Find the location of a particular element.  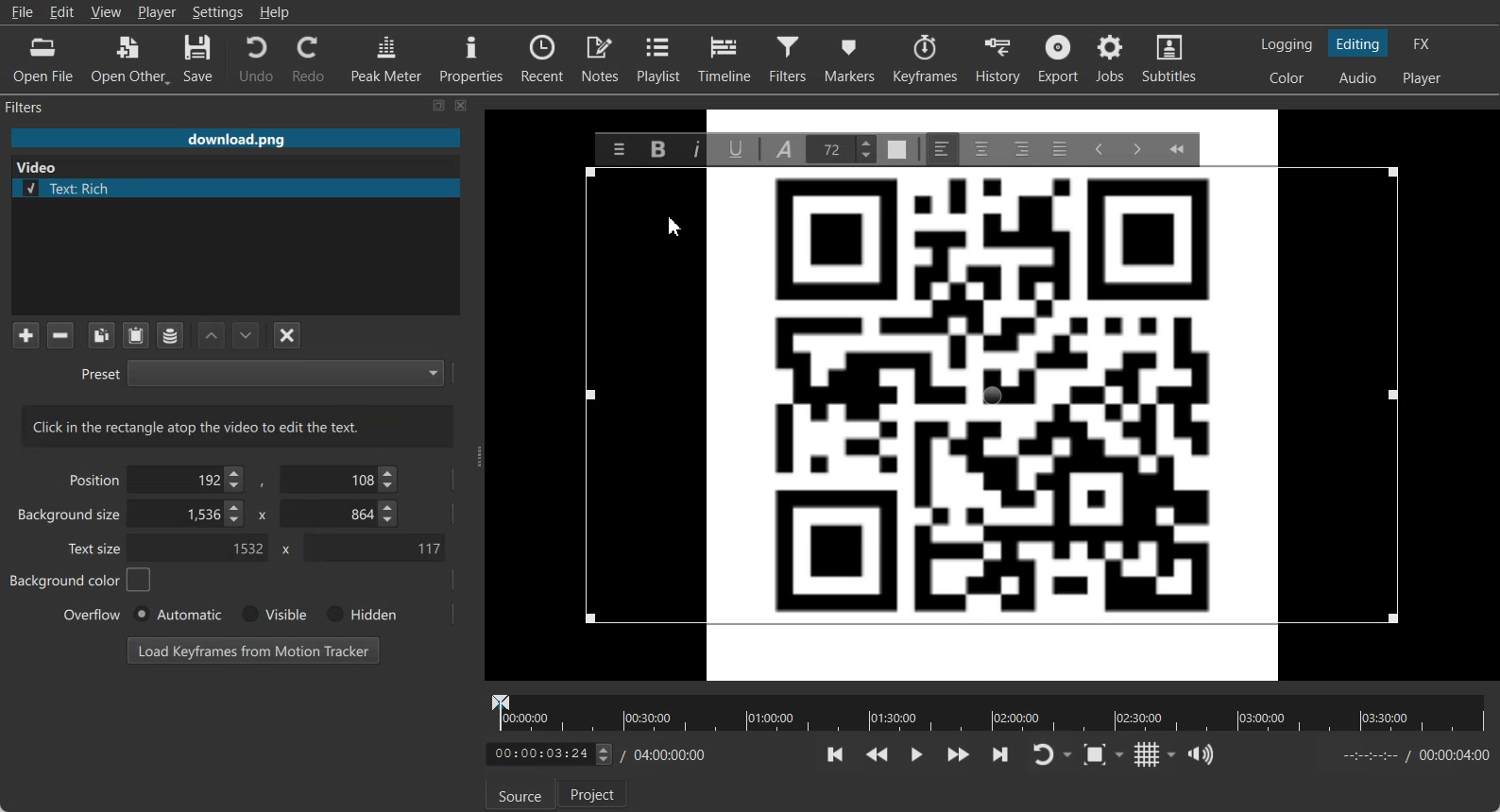

Preset is located at coordinates (262, 372).